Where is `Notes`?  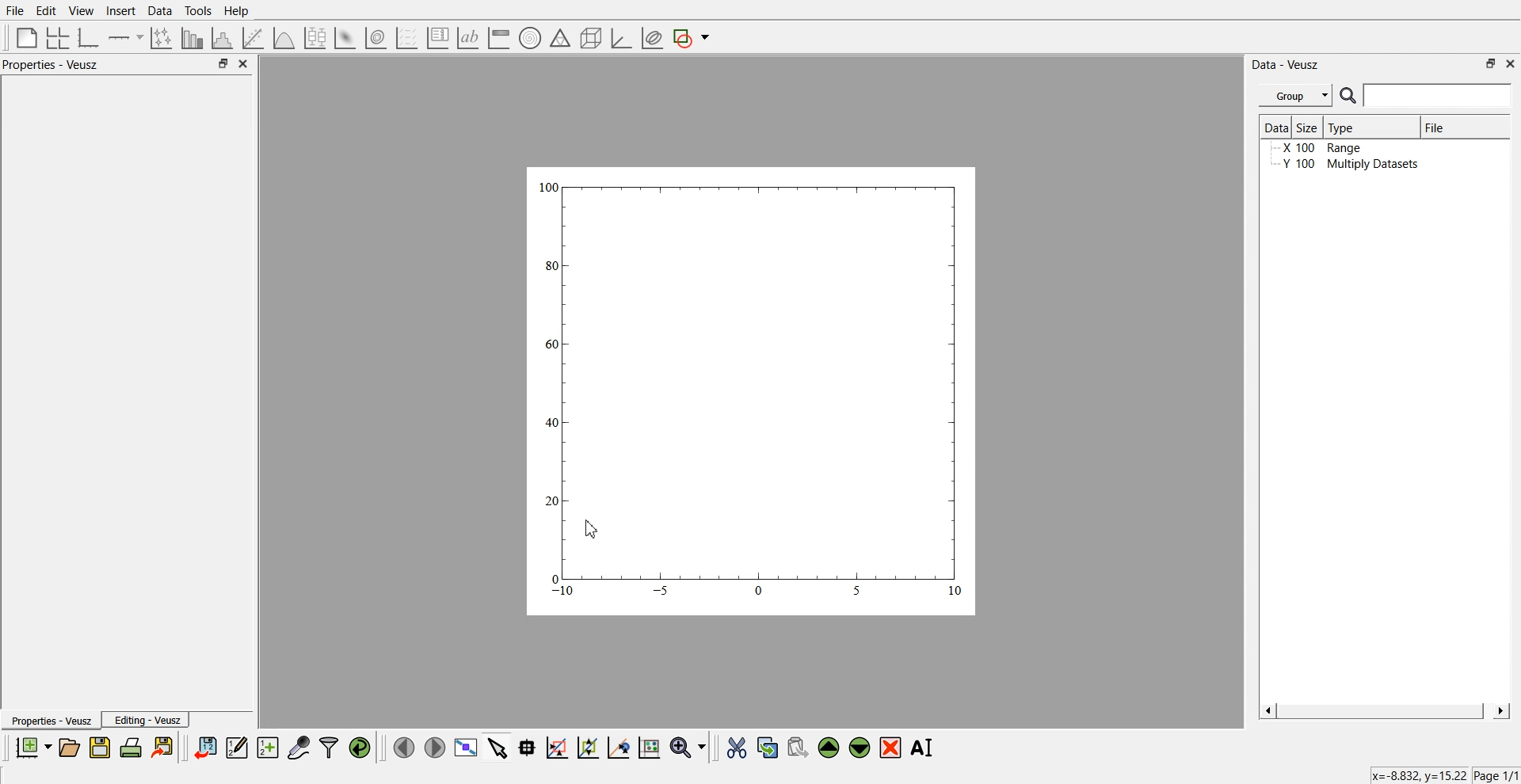
Notes is located at coordinates (26, 93).